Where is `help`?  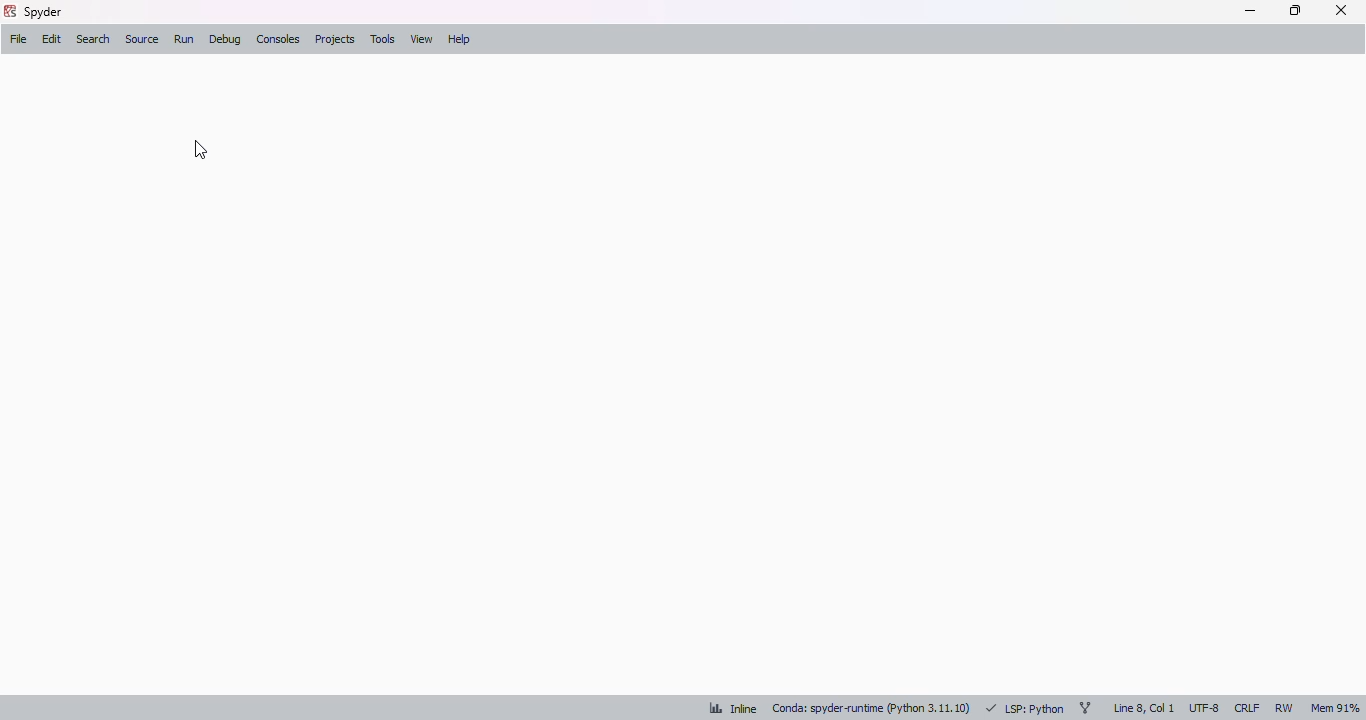
help is located at coordinates (458, 40).